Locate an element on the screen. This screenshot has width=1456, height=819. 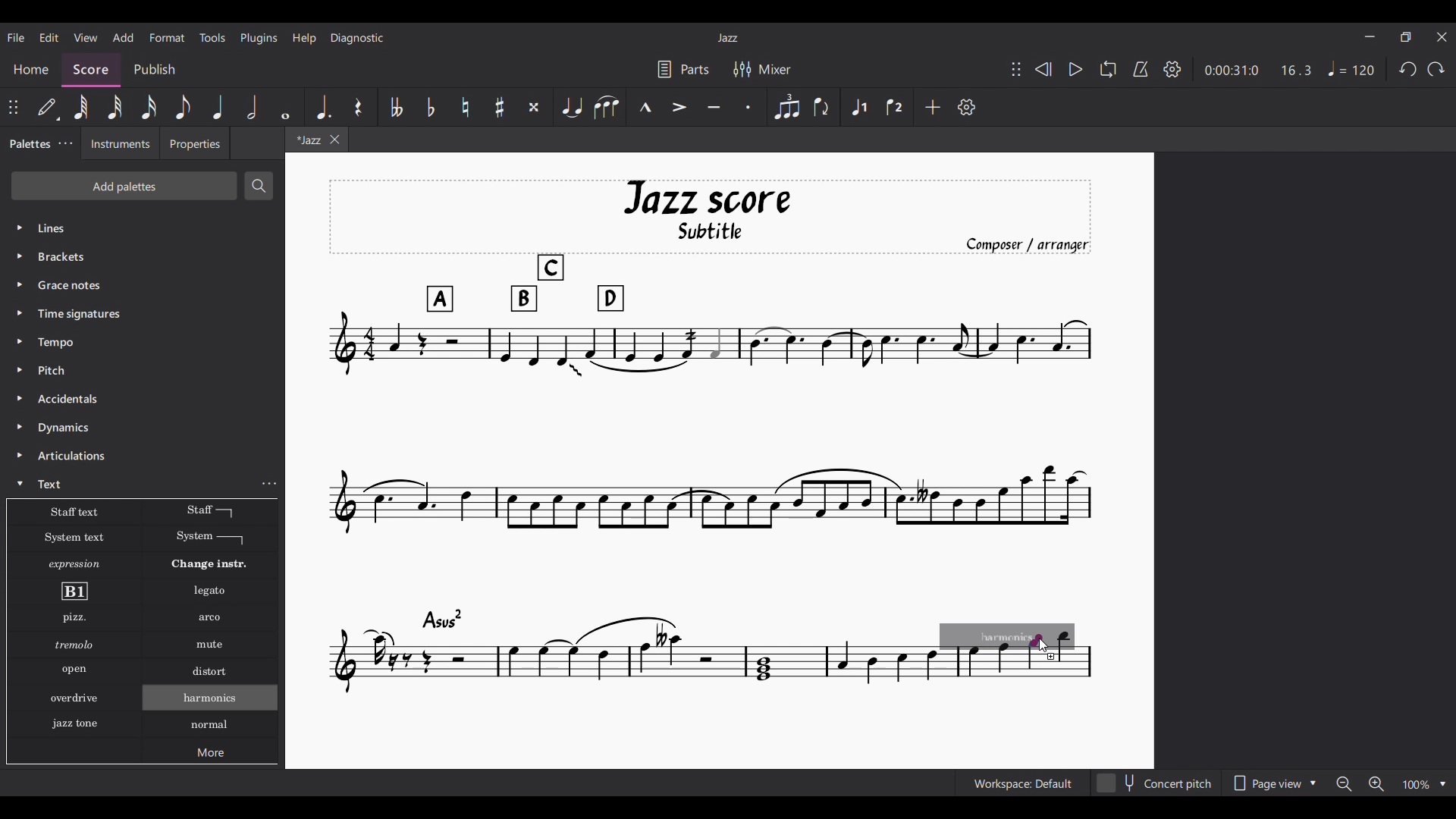
Palette options is located at coordinates (91, 228).